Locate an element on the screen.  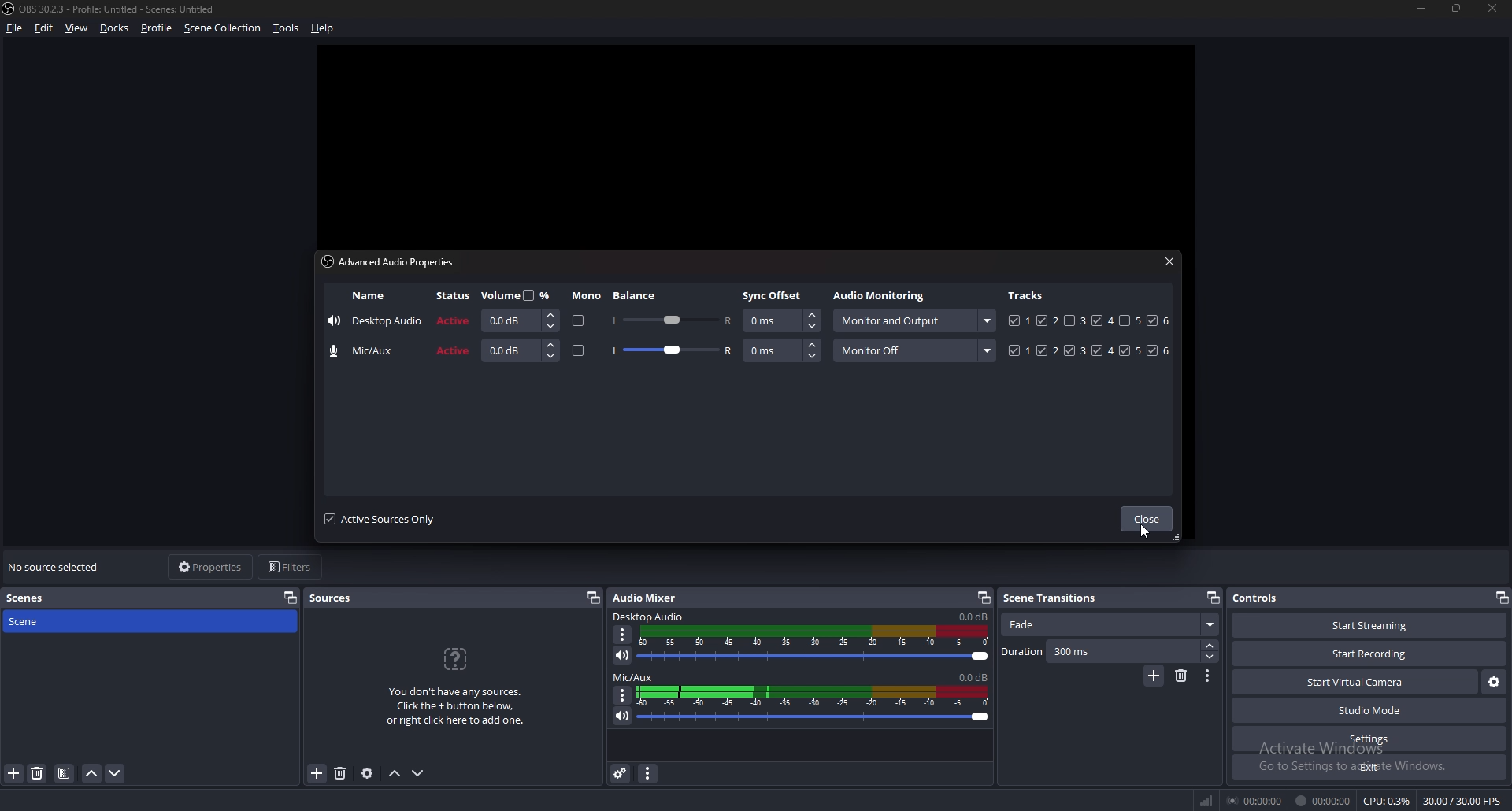
help is located at coordinates (325, 27).